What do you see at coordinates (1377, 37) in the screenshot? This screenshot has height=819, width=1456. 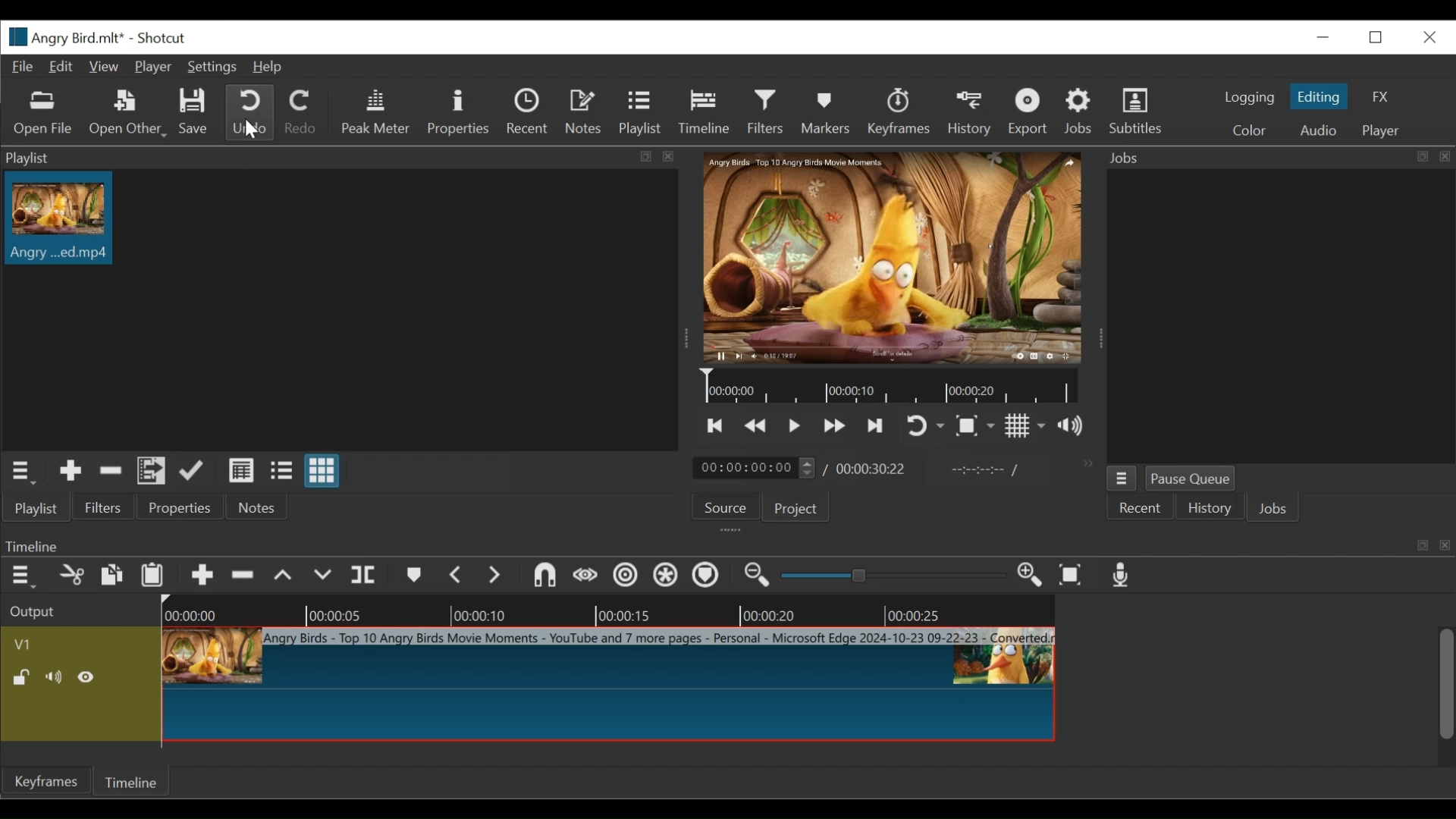 I see `Restore` at bounding box center [1377, 37].